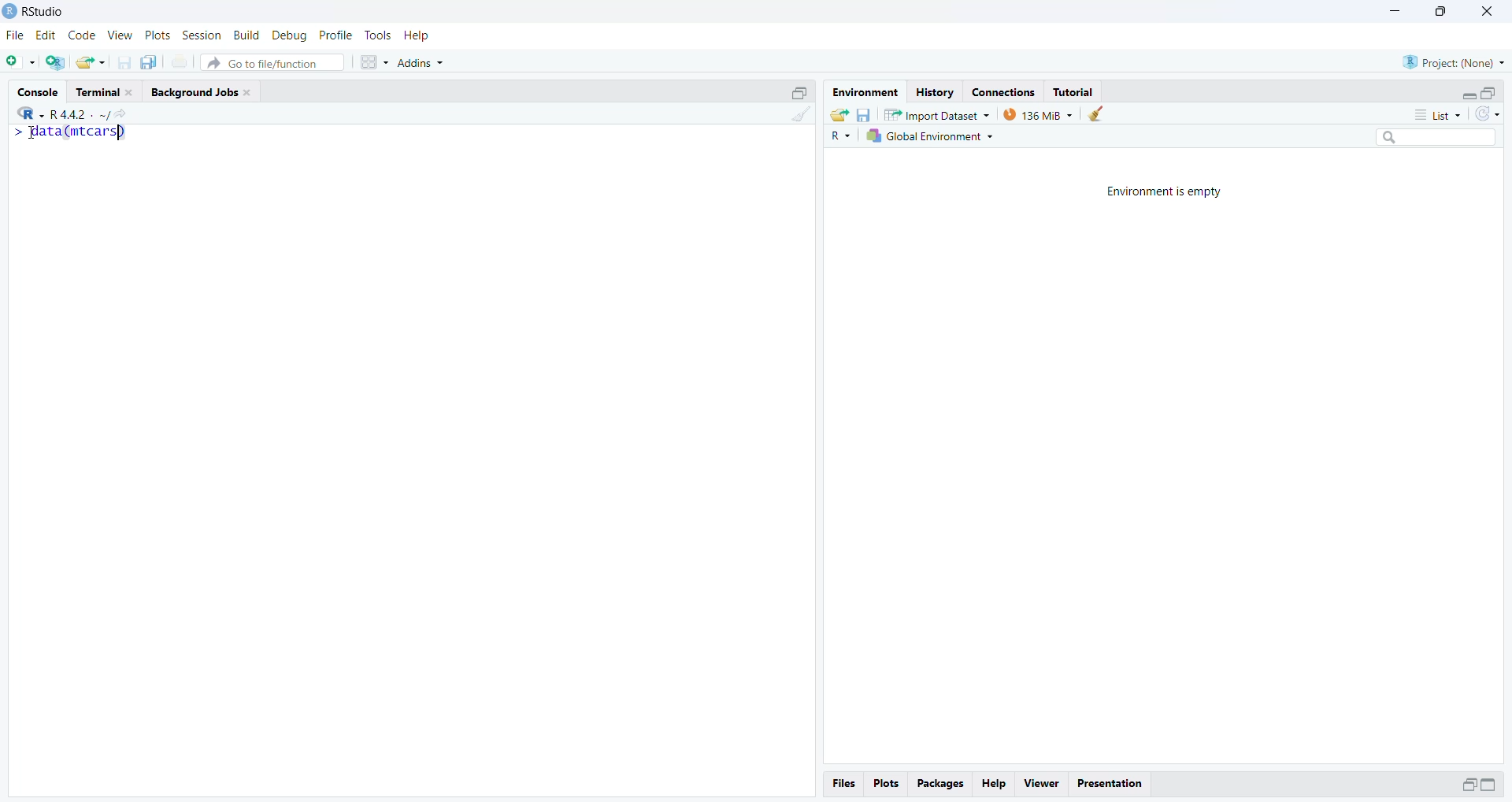 The height and width of the screenshot is (802, 1512). I want to click on New File, so click(21, 61).